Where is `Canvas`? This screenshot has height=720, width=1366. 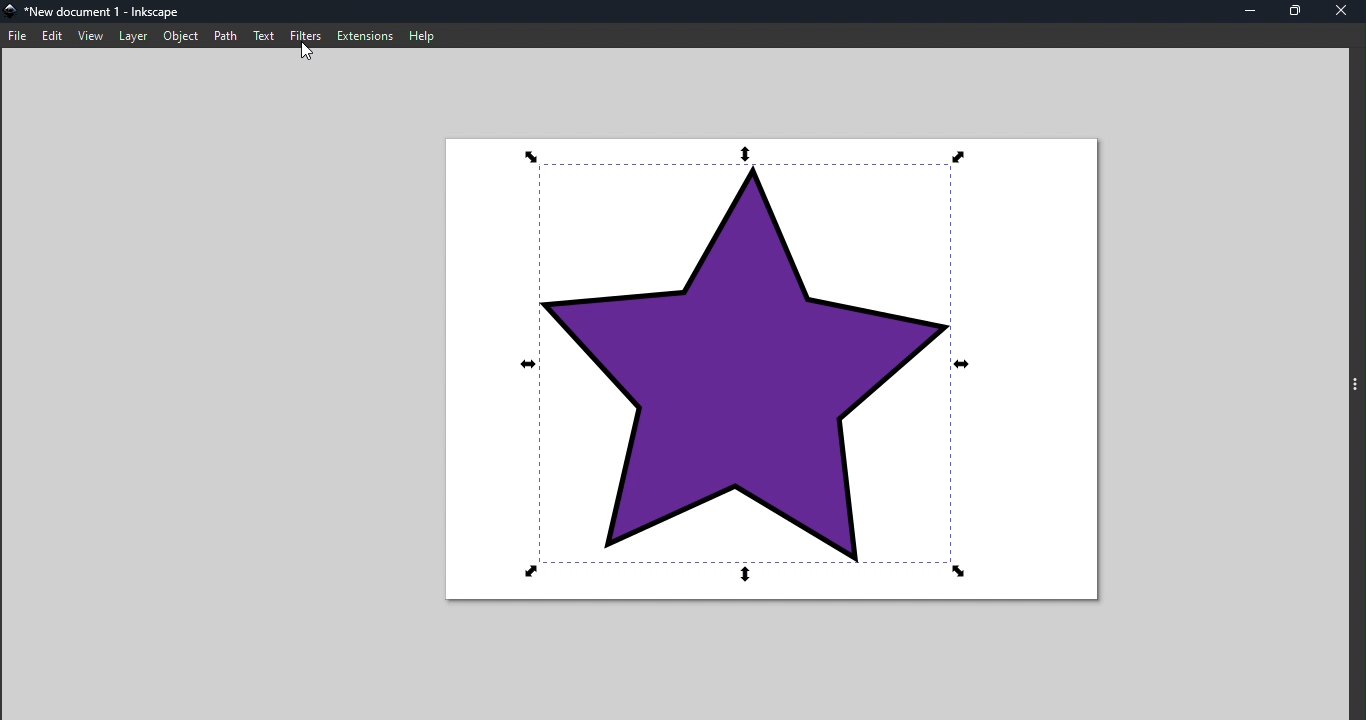
Canvas is located at coordinates (775, 371).